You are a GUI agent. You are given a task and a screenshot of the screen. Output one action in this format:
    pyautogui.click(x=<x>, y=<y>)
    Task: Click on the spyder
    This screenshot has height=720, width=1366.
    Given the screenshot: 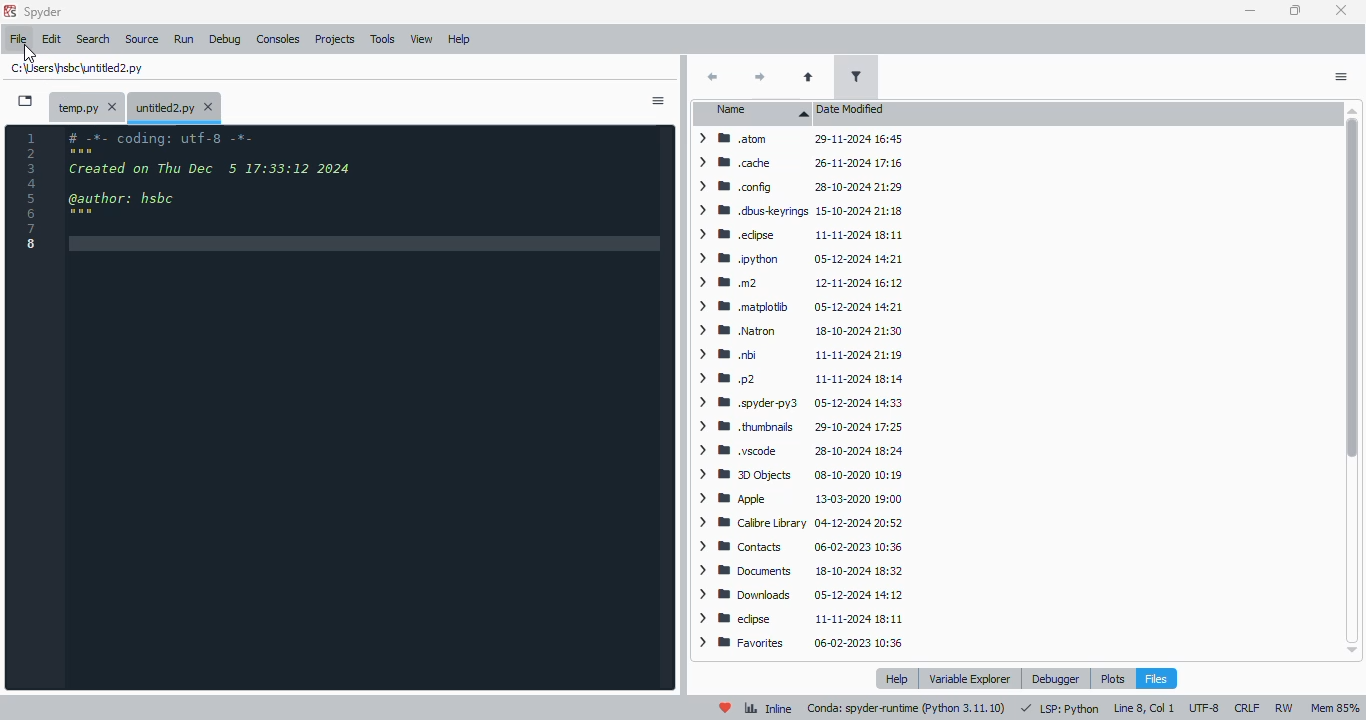 What is the action you would take?
    pyautogui.click(x=43, y=12)
    